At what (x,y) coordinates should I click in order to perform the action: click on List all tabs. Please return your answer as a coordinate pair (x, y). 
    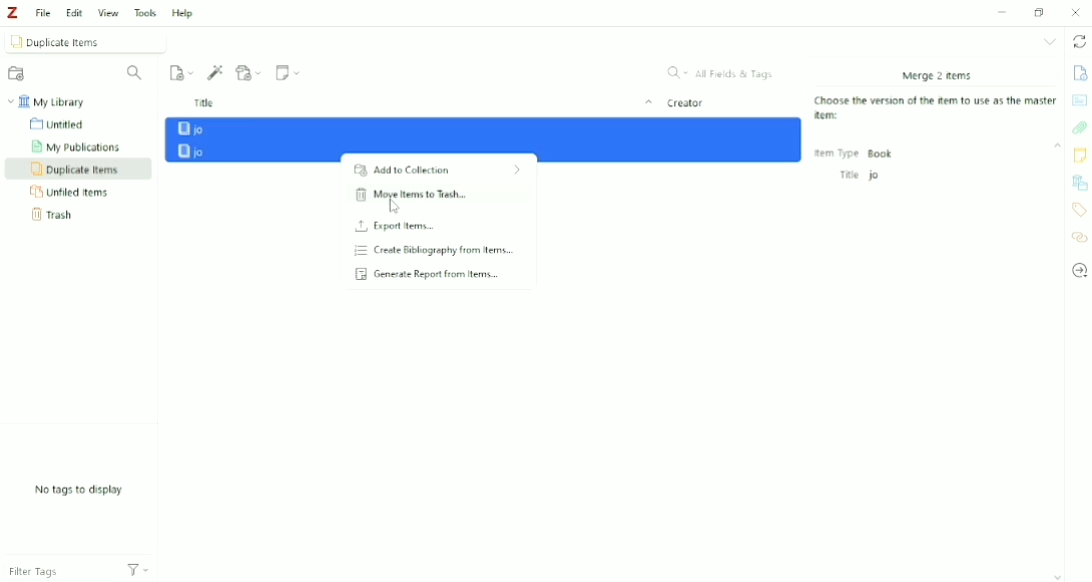
    Looking at the image, I should click on (1050, 42).